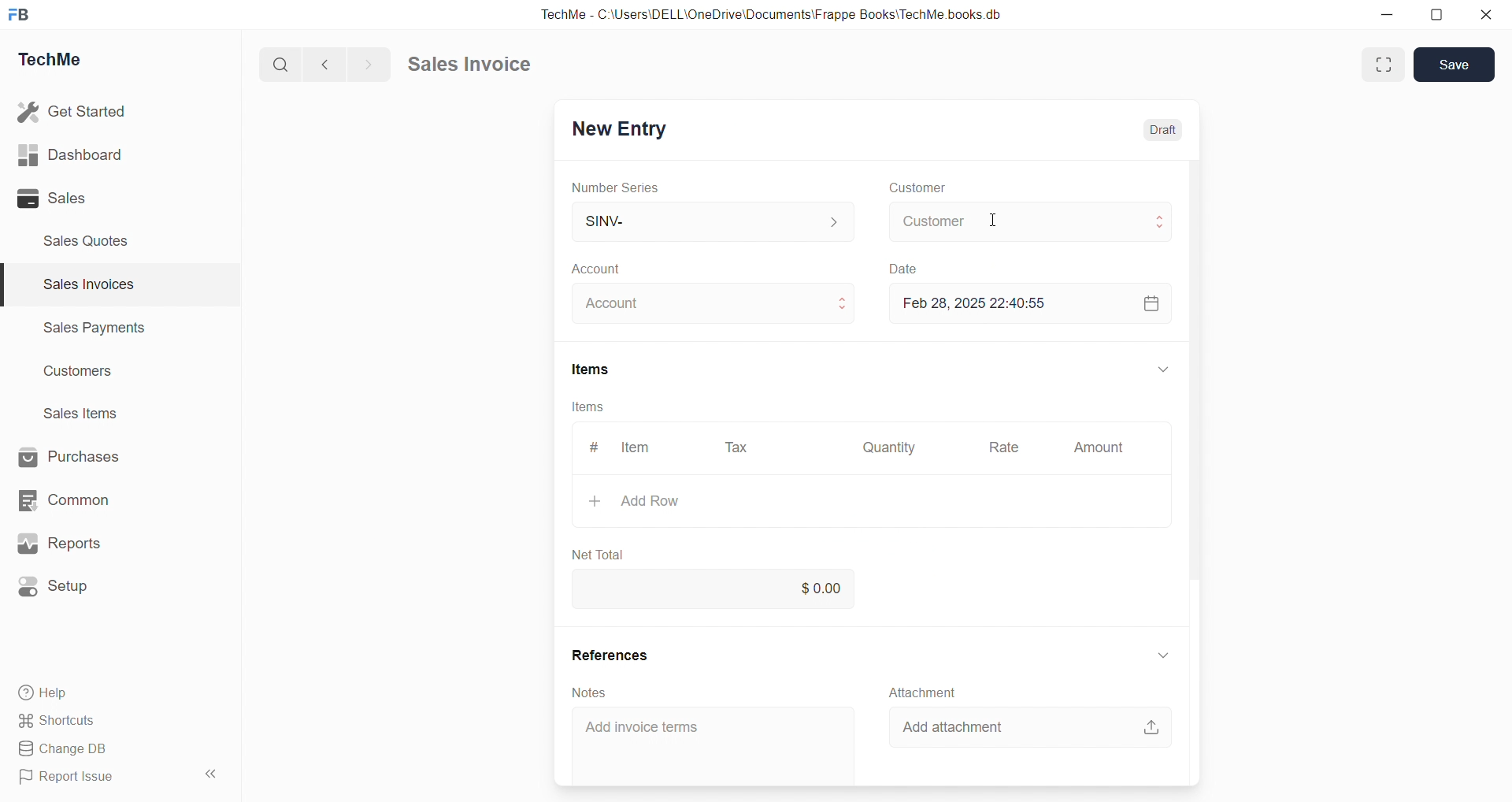 The image size is (1512, 802). Describe the element at coordinates (721, 589) in the screenshot. I see `0.00` at that location.